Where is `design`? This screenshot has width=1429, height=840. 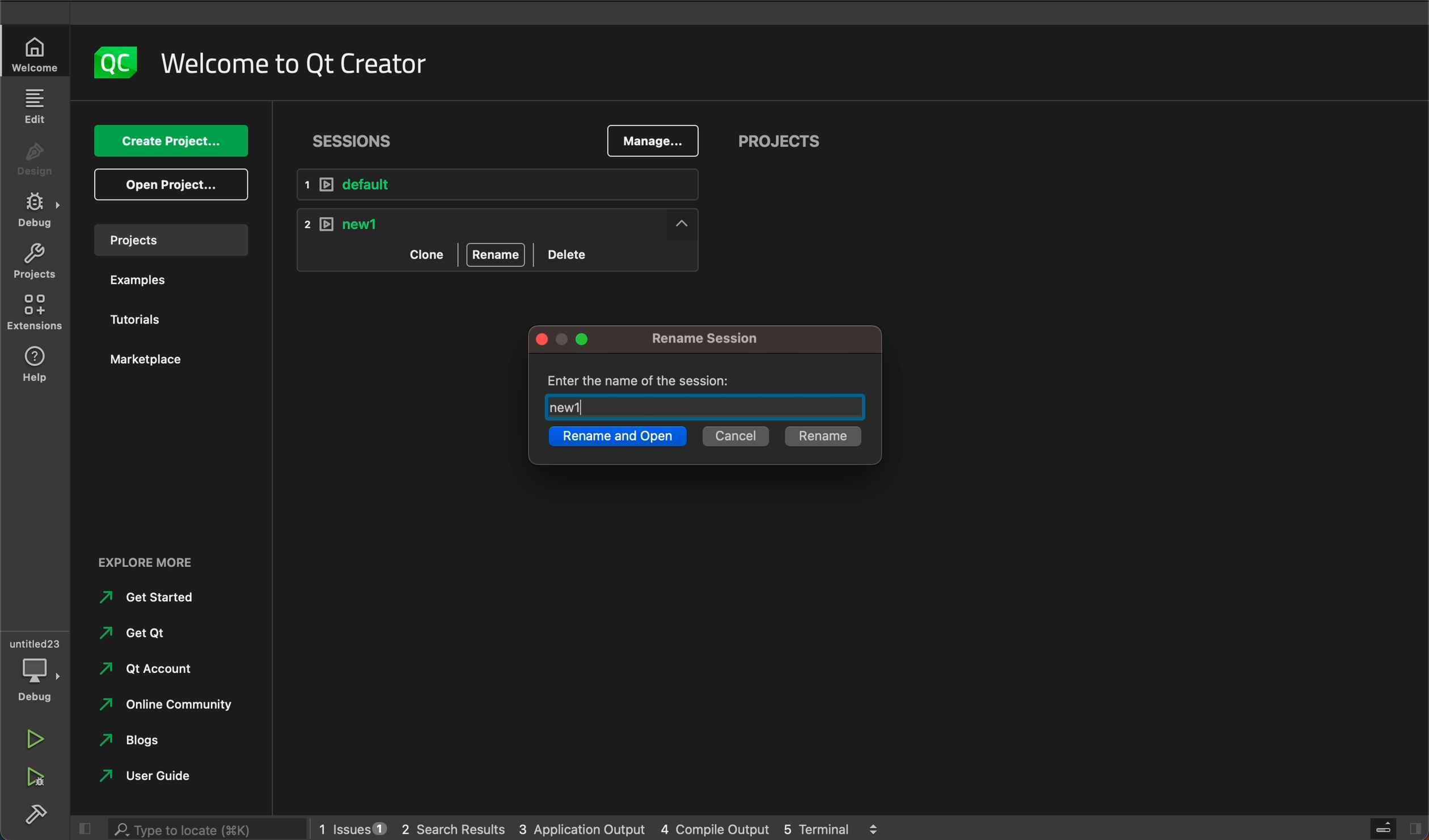 design is located at coordinates (35, 163).